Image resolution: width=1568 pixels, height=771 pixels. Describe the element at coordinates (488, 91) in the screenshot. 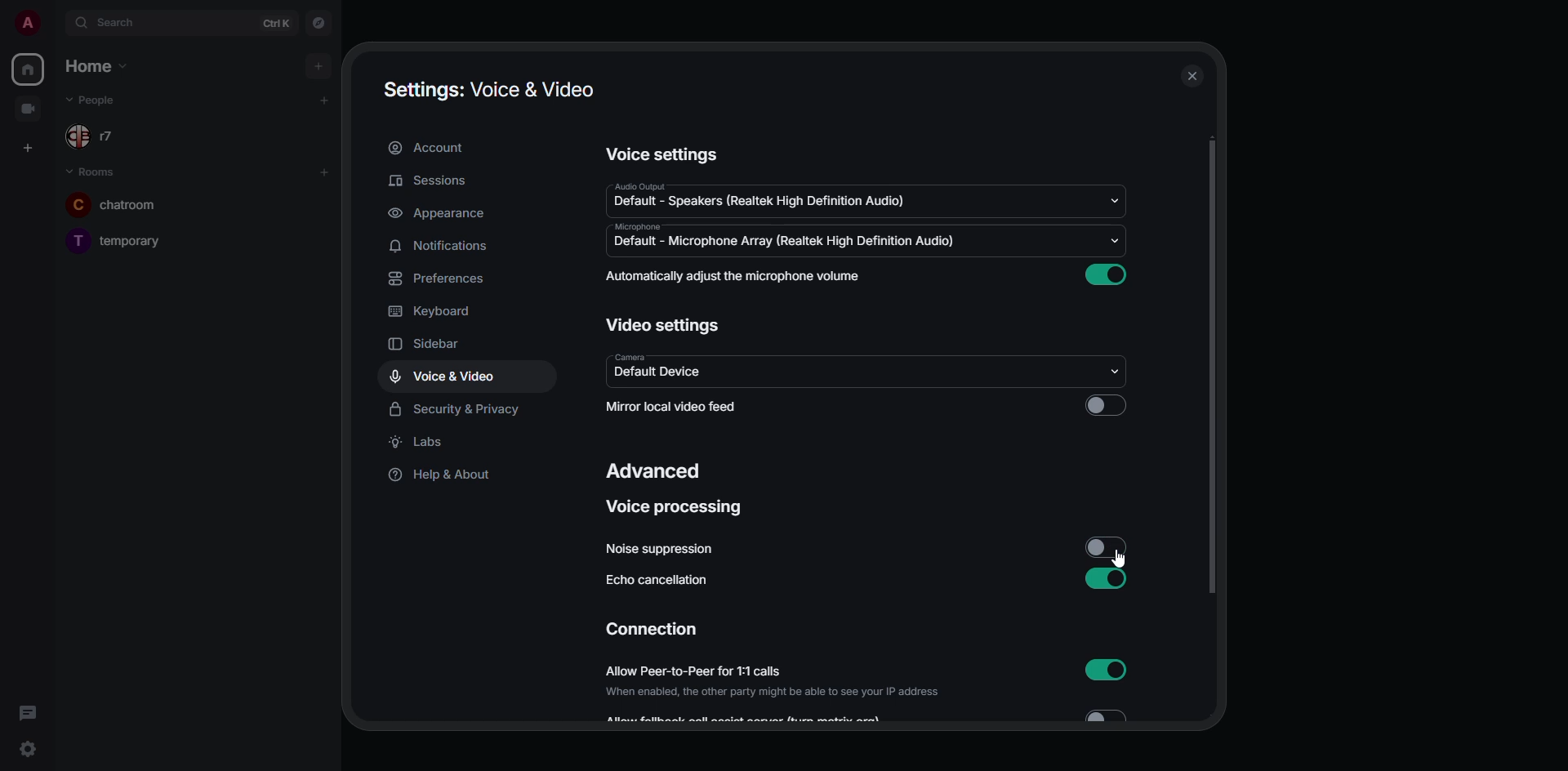

I see `settings voice & video` at that location.